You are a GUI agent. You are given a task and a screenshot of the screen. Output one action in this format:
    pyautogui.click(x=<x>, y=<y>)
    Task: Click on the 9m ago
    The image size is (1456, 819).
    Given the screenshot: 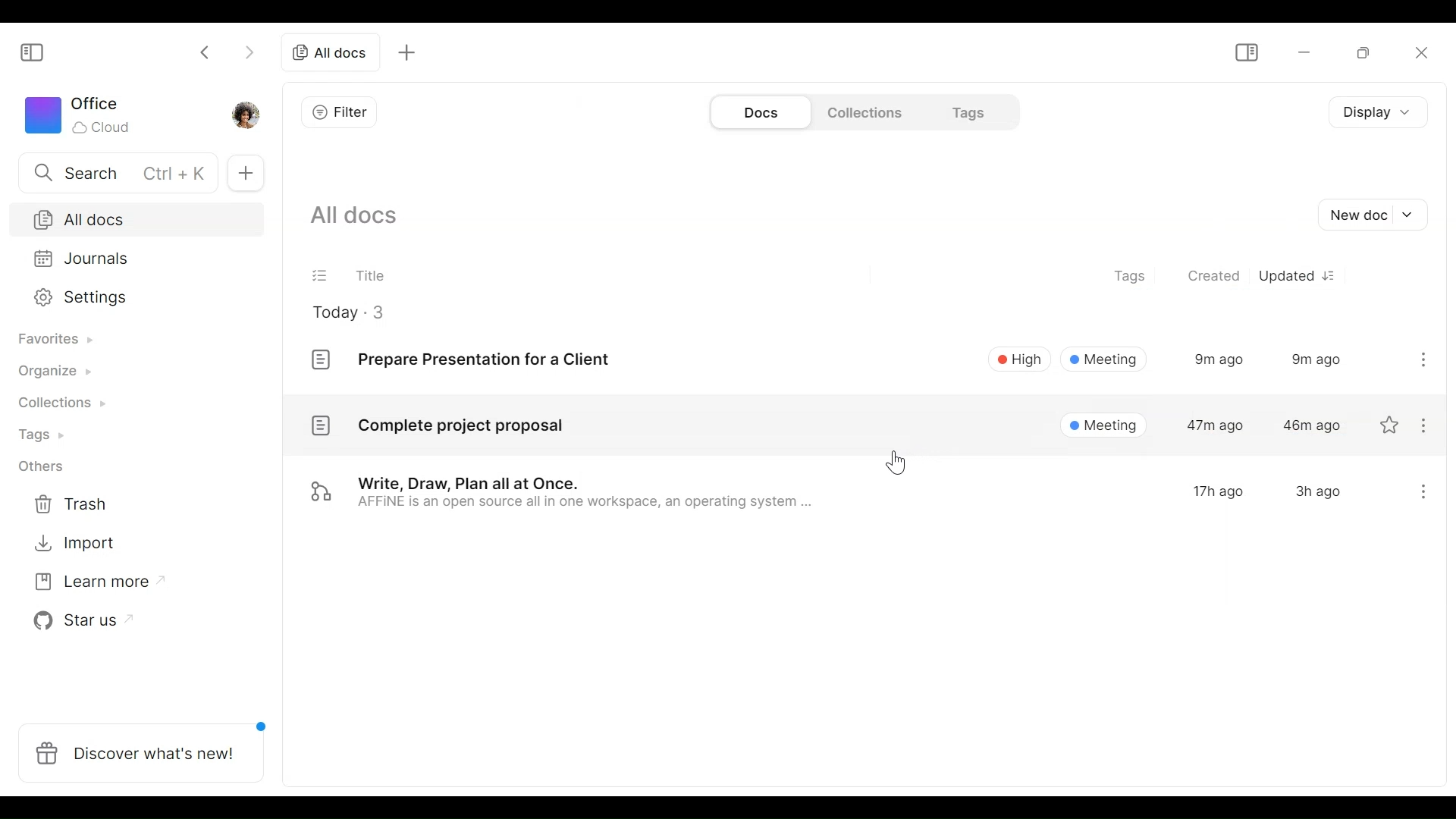 What is the action you would take?
    pyautogui.click(x=1218, y=361)
    